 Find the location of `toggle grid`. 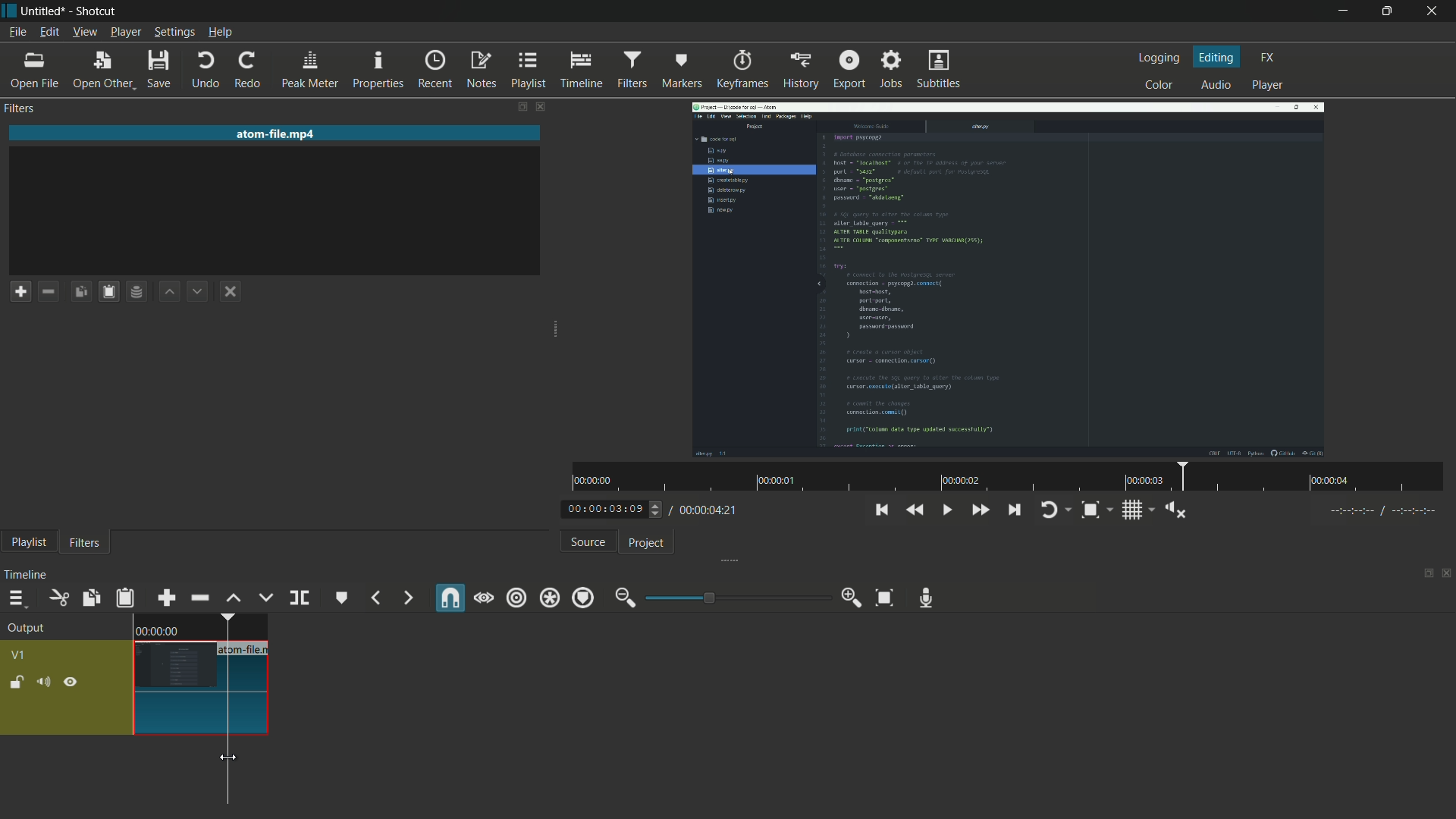

toggle grid is located at coordinates (1134, 510).